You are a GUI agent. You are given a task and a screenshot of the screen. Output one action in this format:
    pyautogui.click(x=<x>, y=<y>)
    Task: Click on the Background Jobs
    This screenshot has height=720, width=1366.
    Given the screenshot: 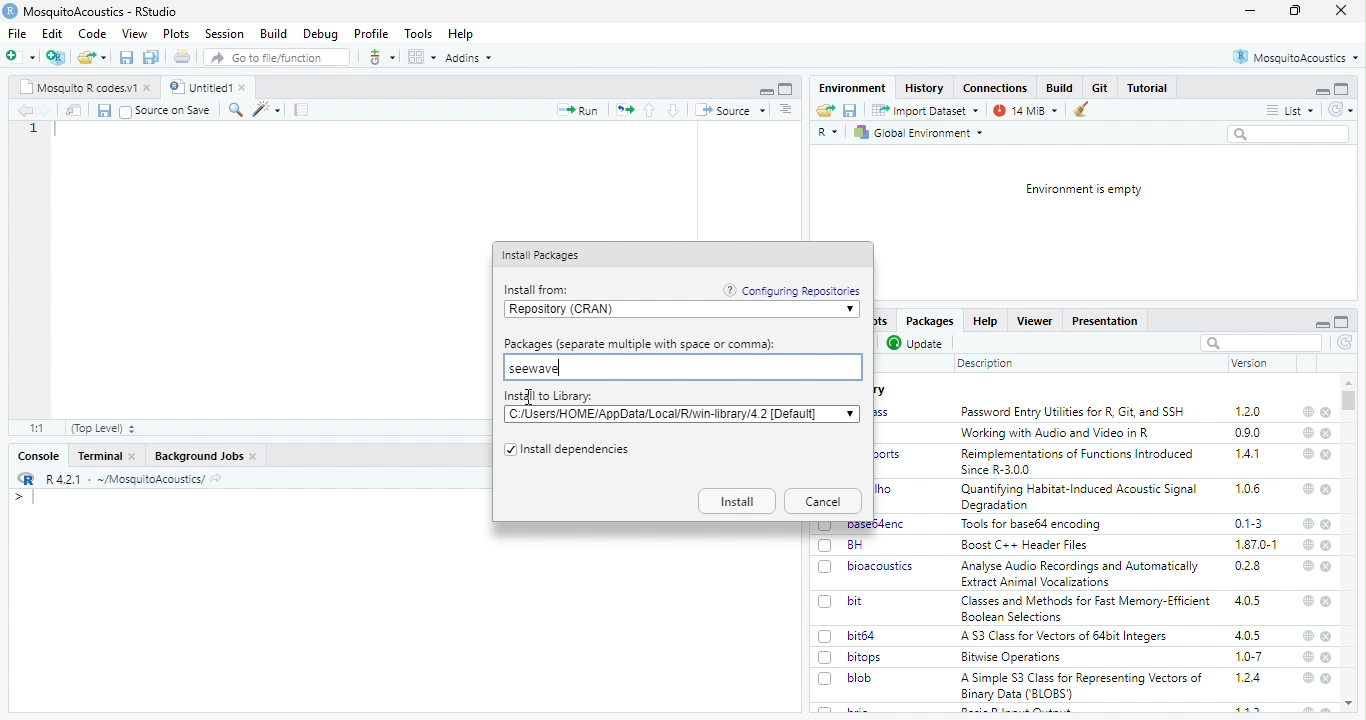 What is the action you would take?
    pyautogui.click(x=198, y=457)
    